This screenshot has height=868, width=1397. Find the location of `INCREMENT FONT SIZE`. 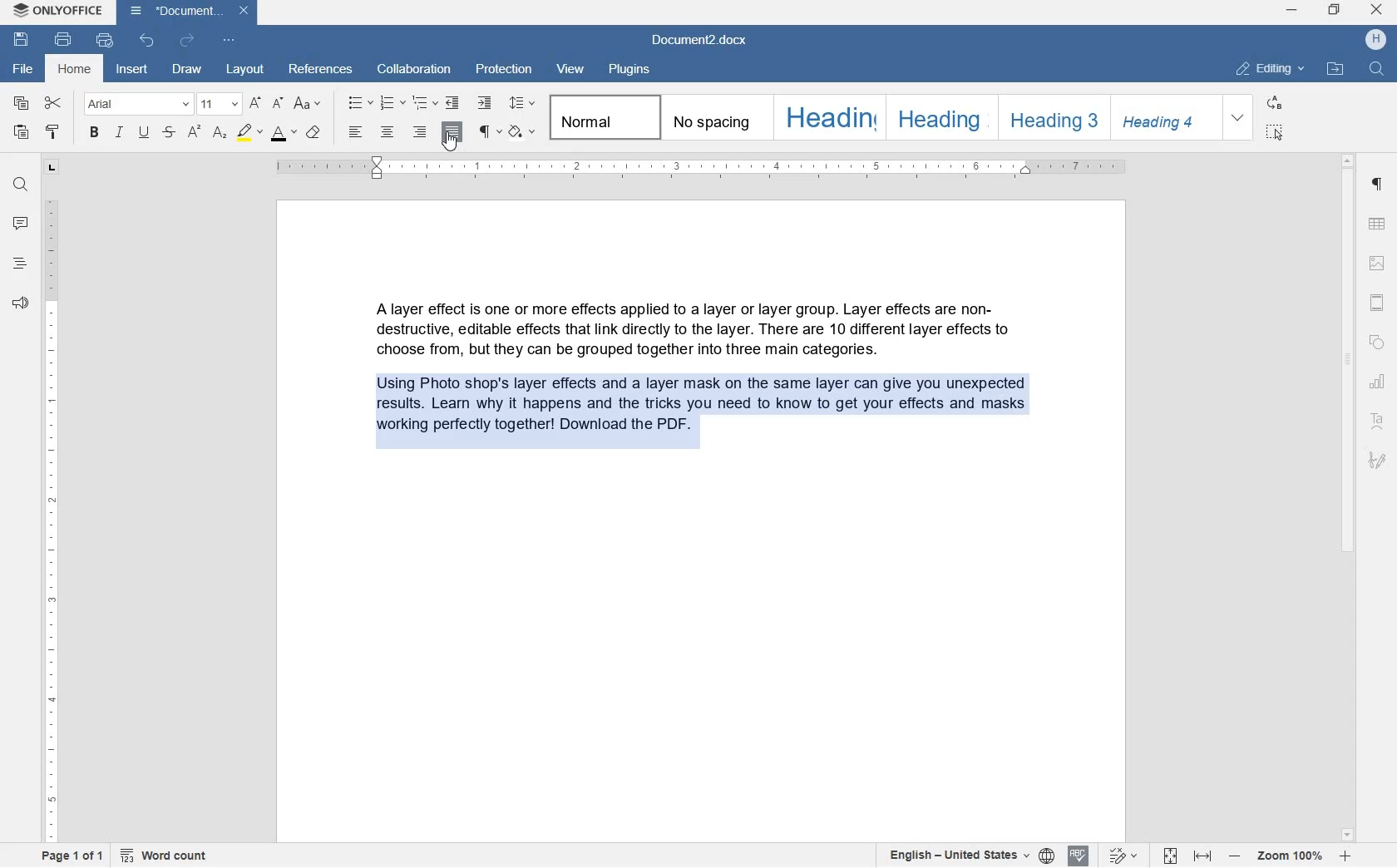

INCREMENT FONT SIZE is located at coordinates (255, 102).